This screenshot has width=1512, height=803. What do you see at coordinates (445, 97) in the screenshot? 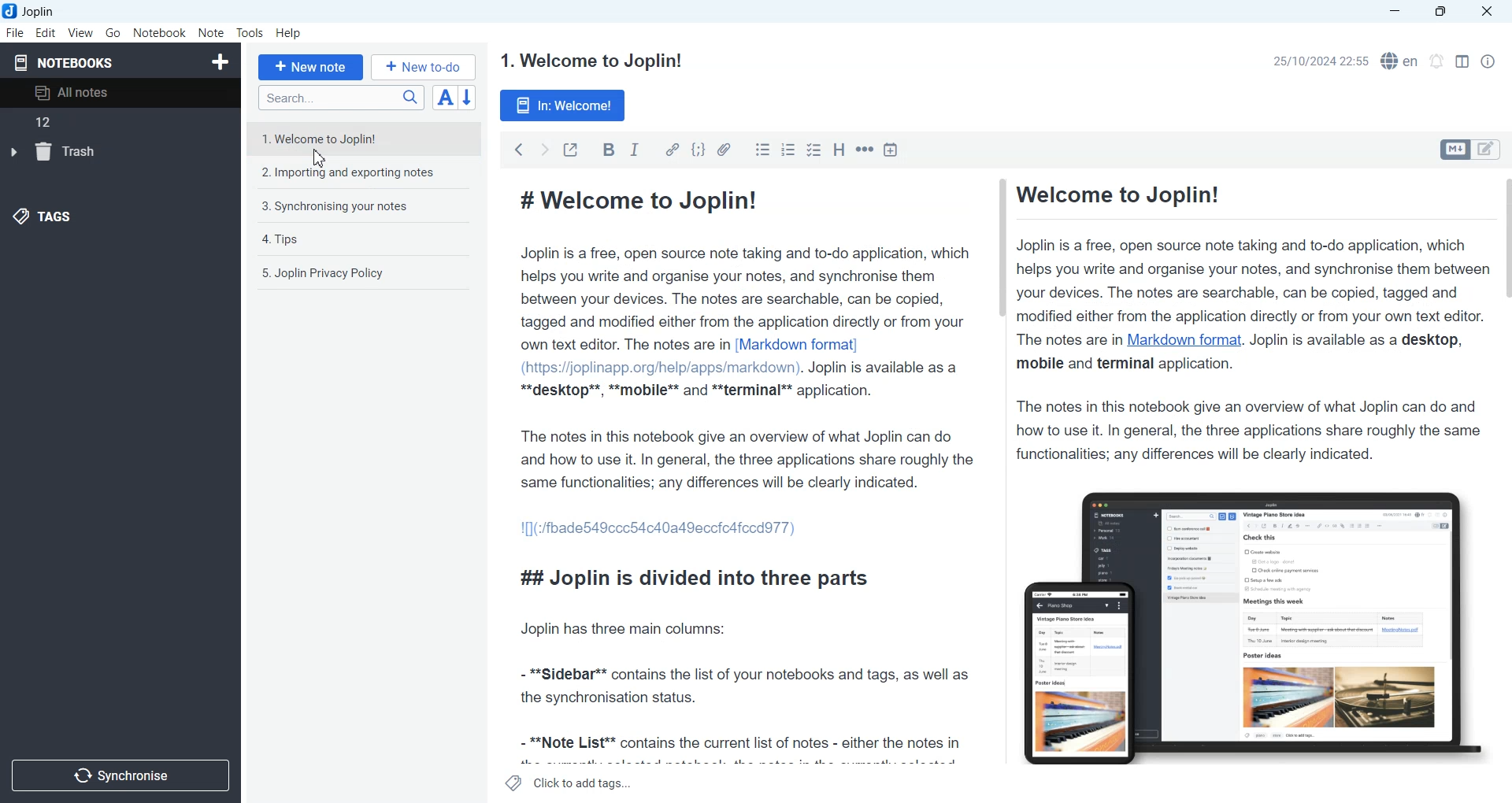
I see `Toggle sort order field` at bounding box center [445, 97].